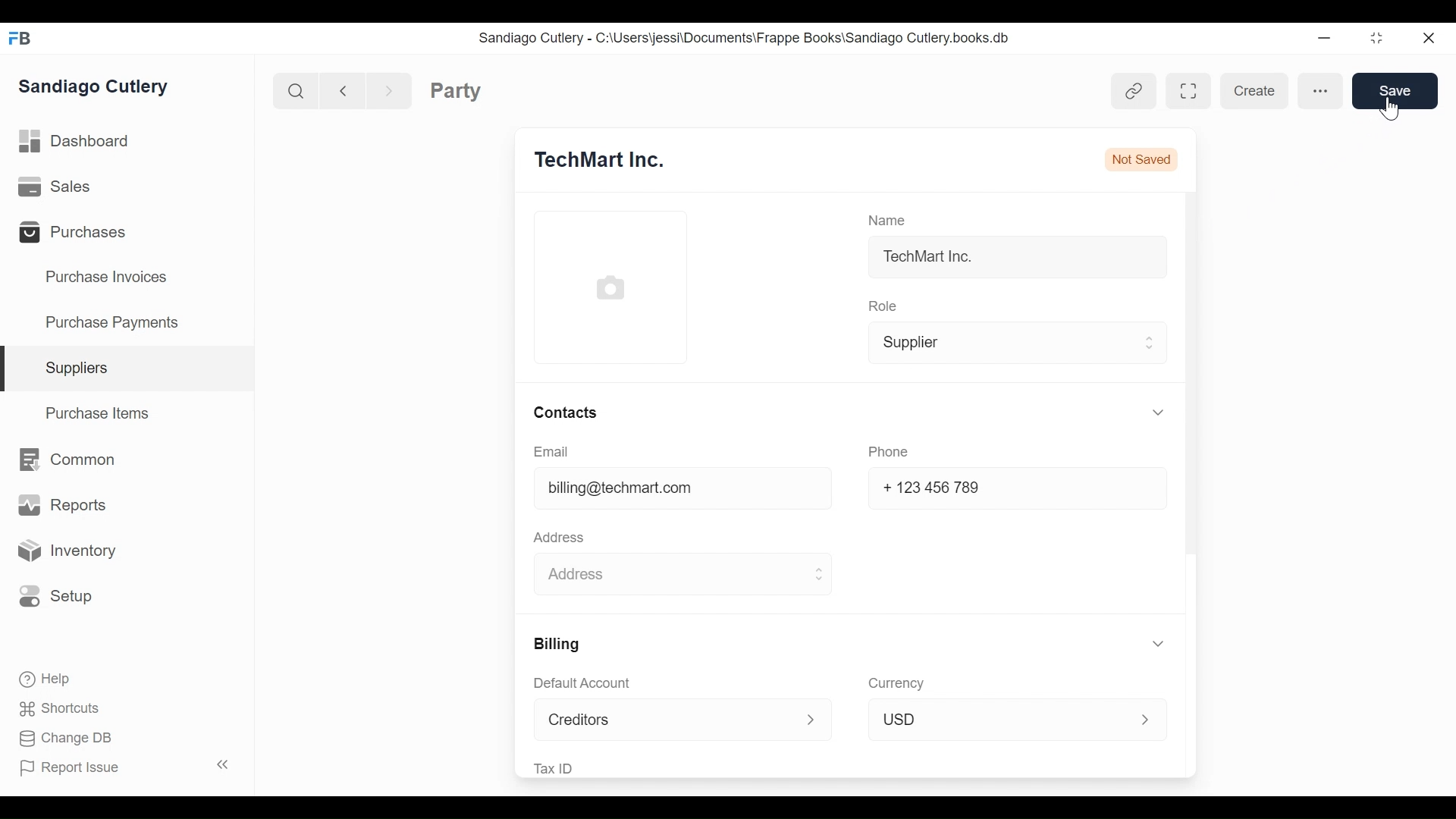 The width and height of the screenshot is (1456, 819). What do you see at coordinates (896, 682) in the screenshot?
I see `Currency` at bounding box center [896, 682].